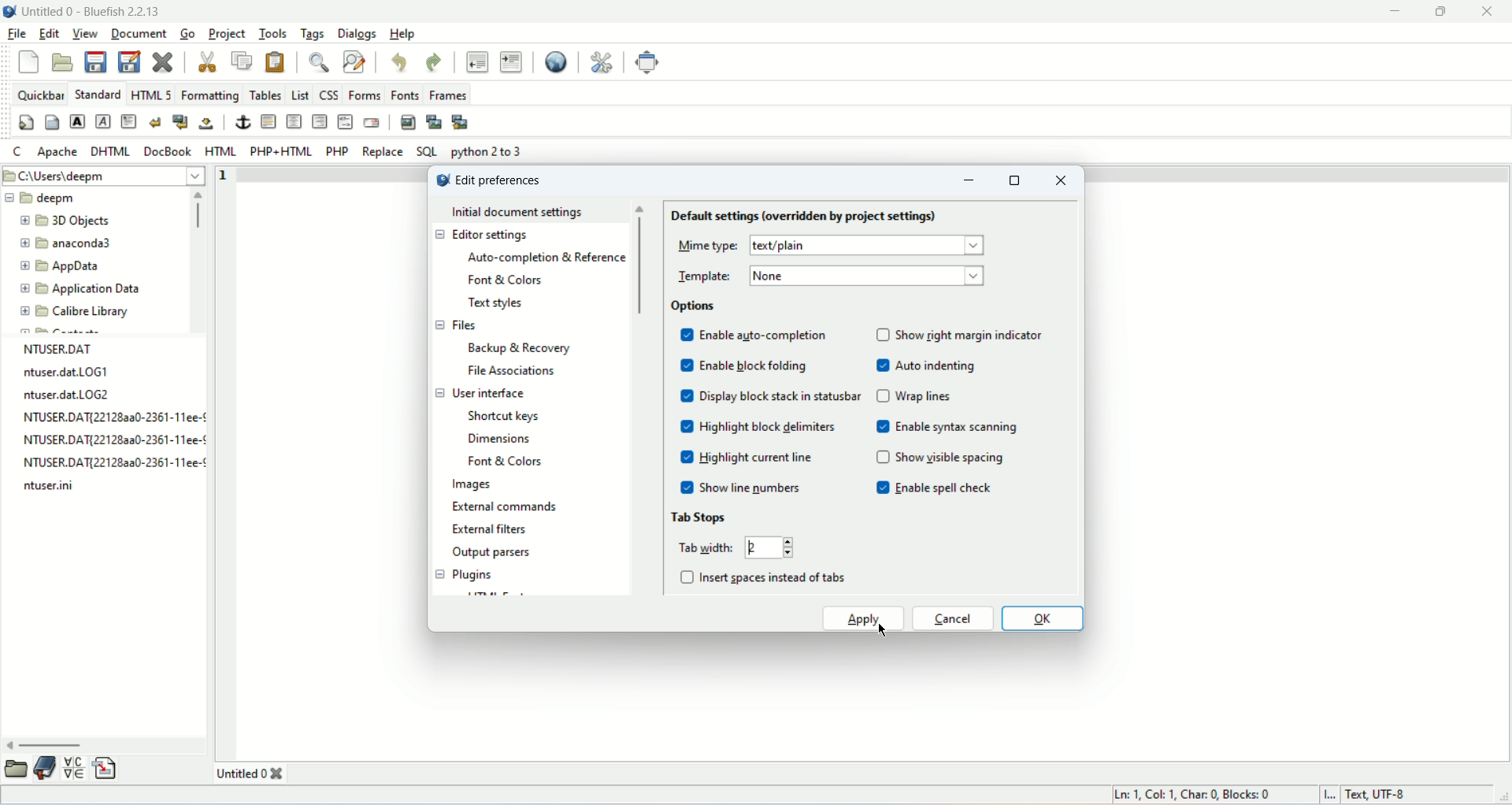 Image resolution: width=1512 pixels, height=805 pixels. I want to click on minimize, so click(969, 181).